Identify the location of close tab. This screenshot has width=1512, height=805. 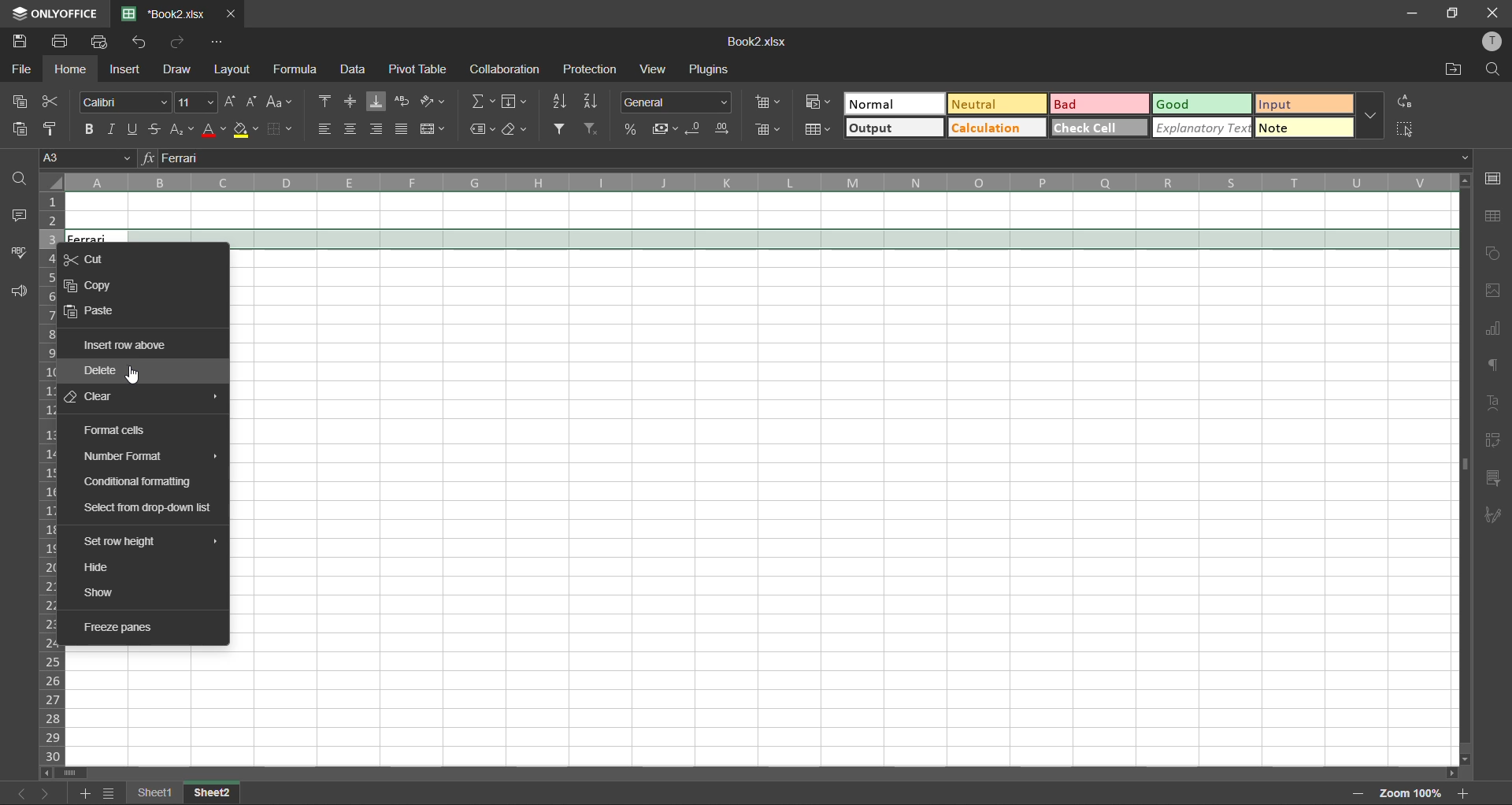
(233, 14).